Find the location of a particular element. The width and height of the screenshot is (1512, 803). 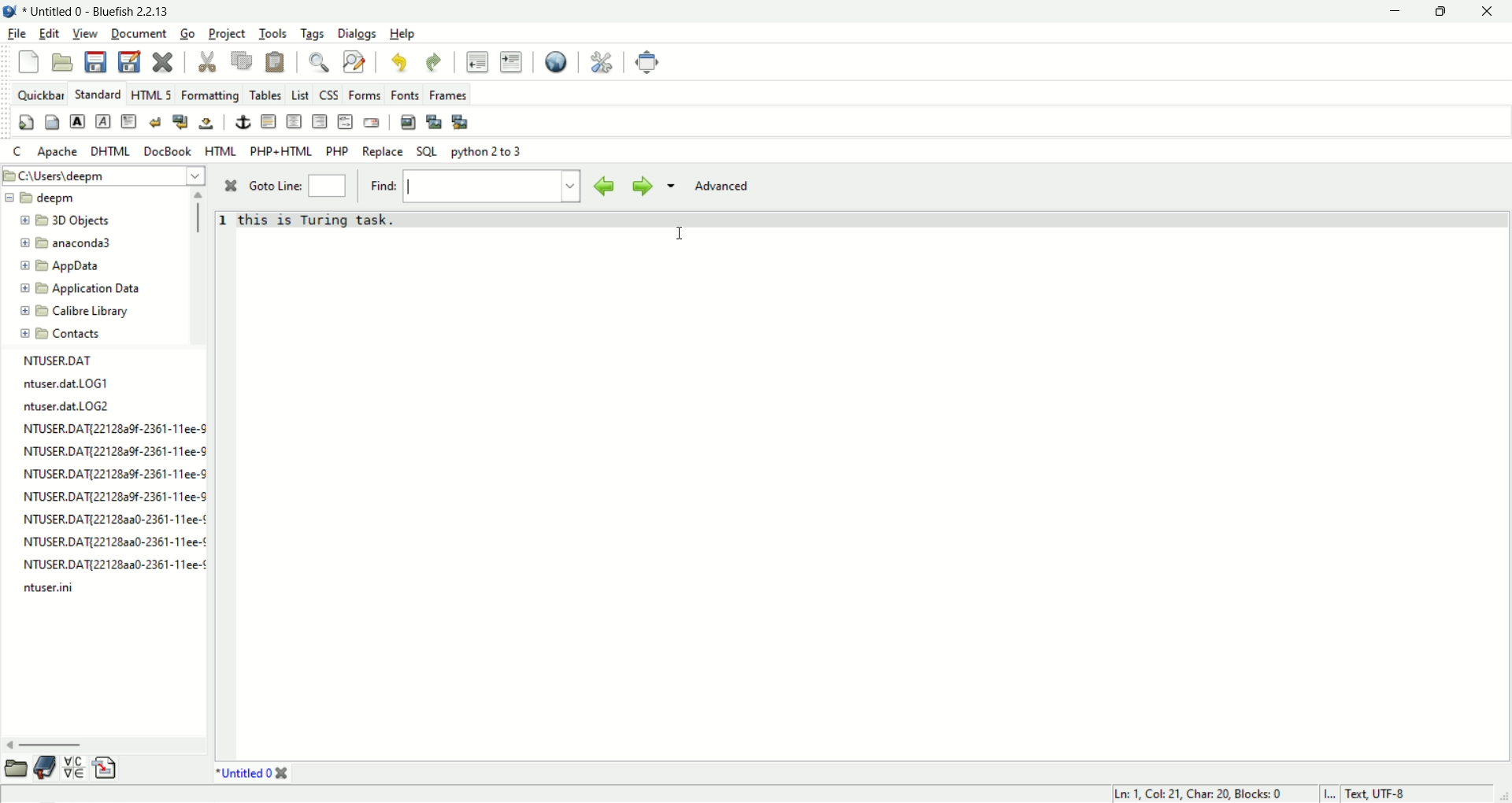

preferences is located at coordinates (602, 62).